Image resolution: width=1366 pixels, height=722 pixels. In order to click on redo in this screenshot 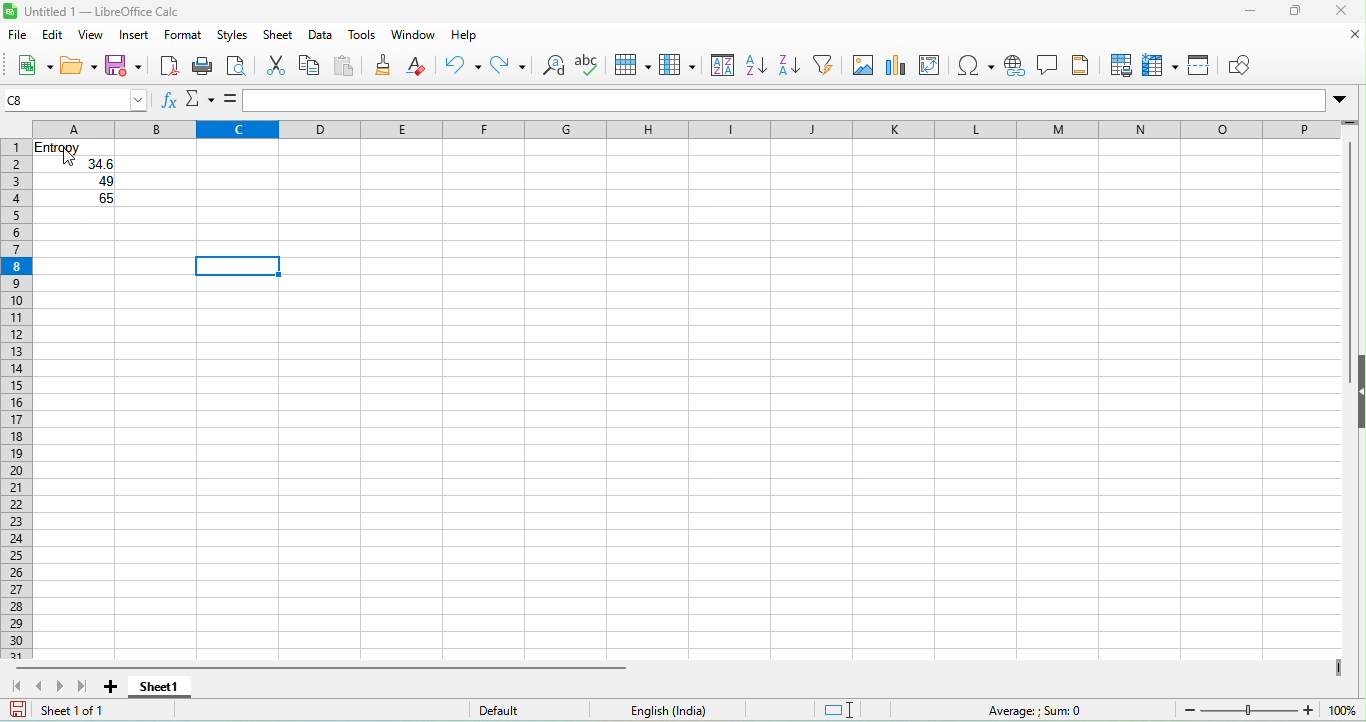, I will do `click(508, 69)`.